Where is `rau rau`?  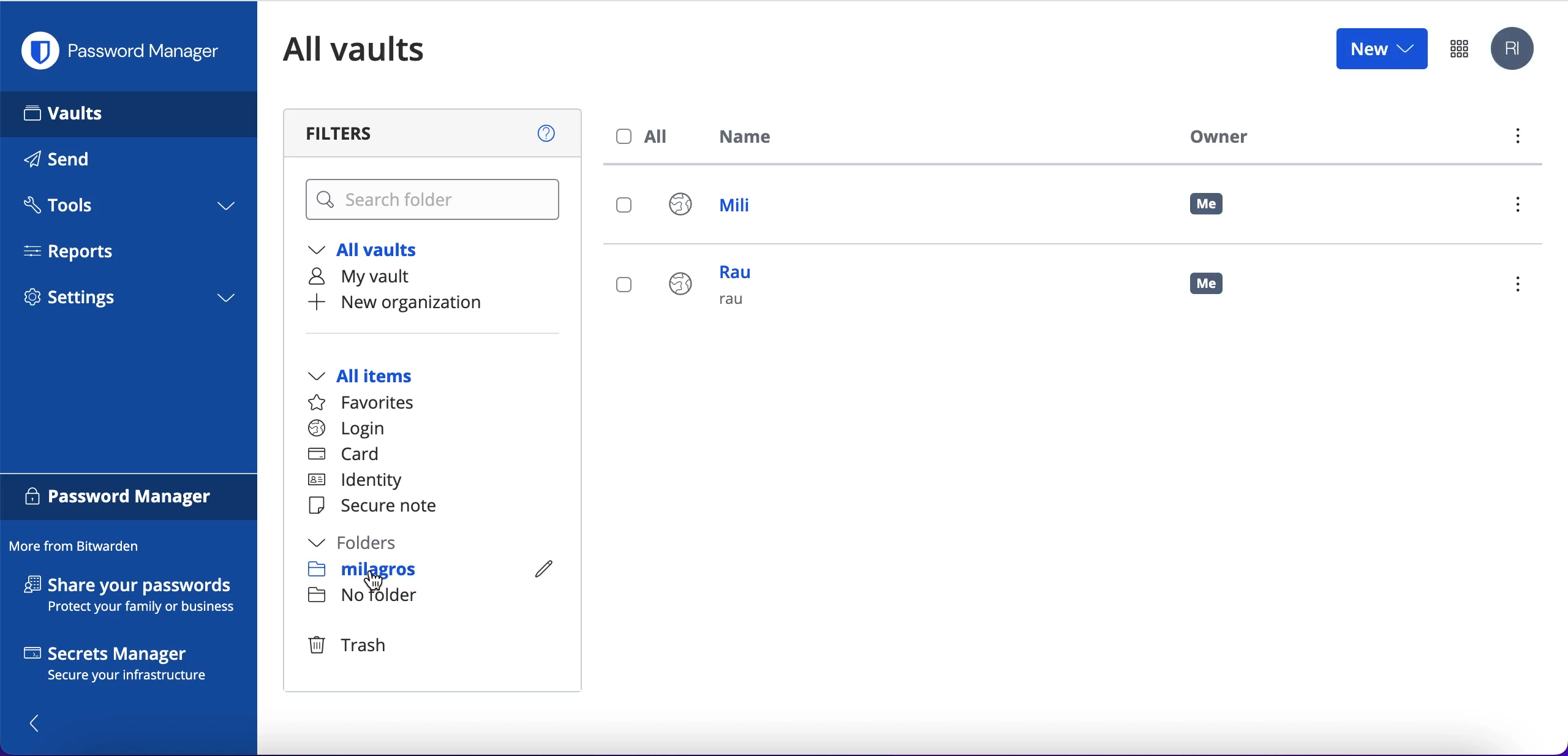 rau rau is located at coordinates (717, 293).